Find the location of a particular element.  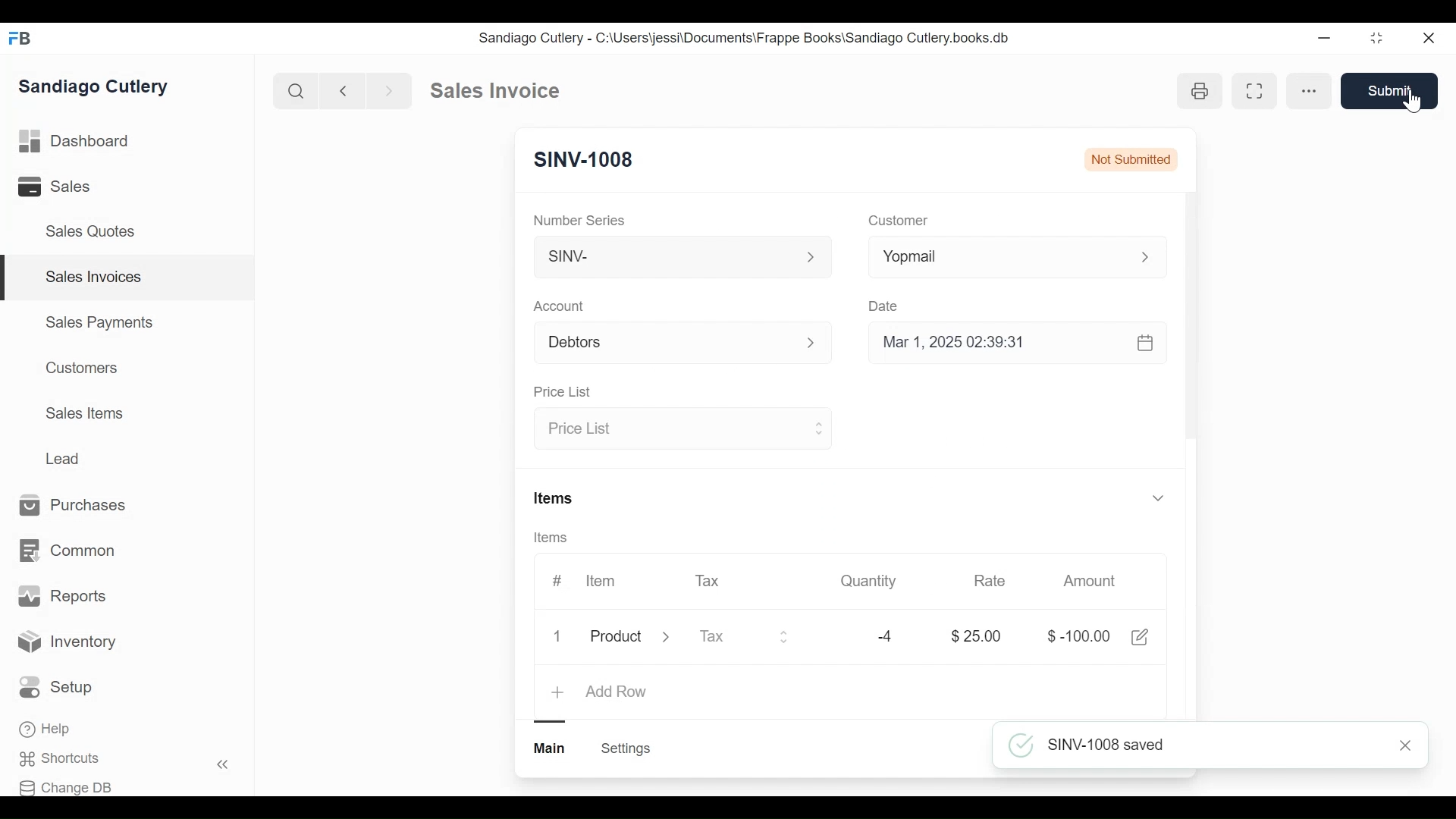

-4 is located at coordinates (886, 637).